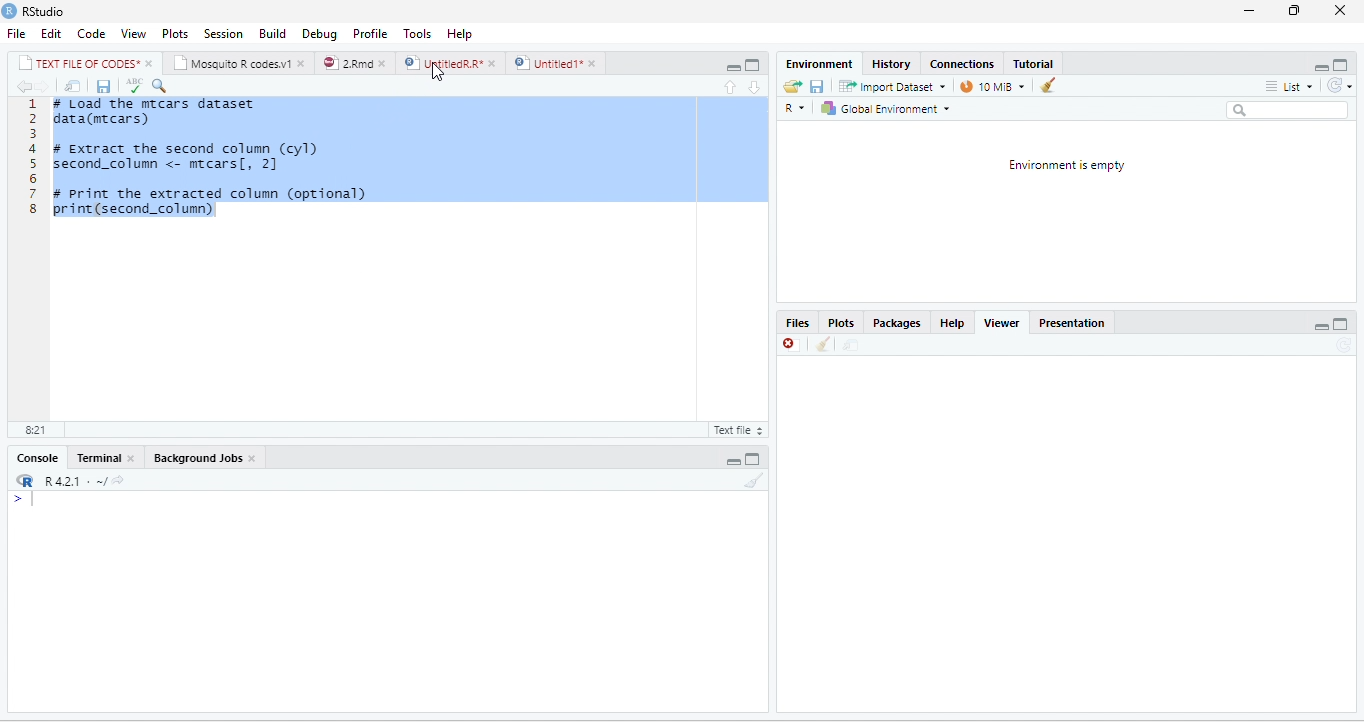  What do you see at coordinates (848, 346) in the screenshot?
I see `move` at bounding box center [848, 346].